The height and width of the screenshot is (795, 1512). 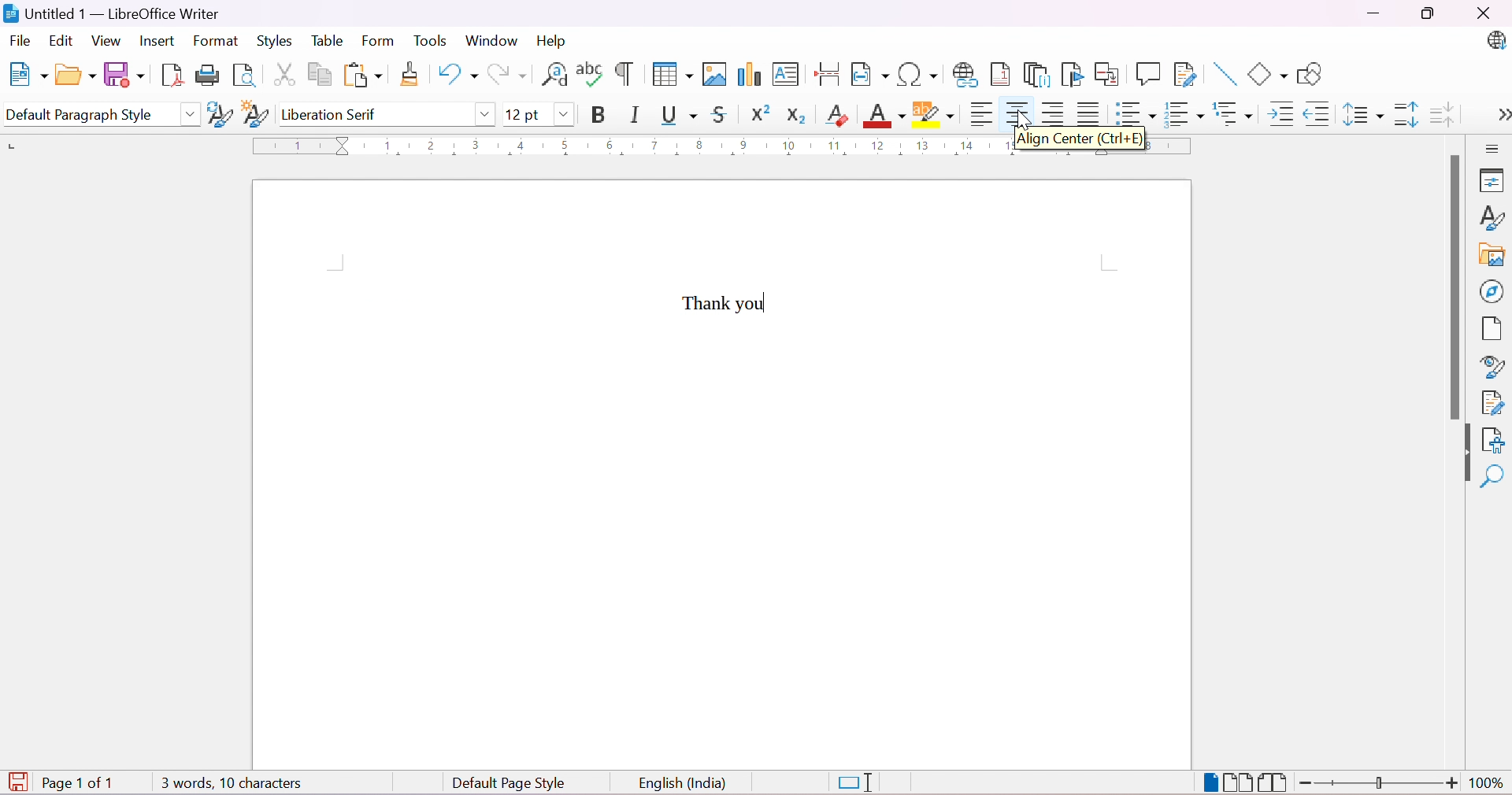 What do you see at coordinates (628, 146) in the screenshot?
I see `Ruler` at bounding box center [628, 146].